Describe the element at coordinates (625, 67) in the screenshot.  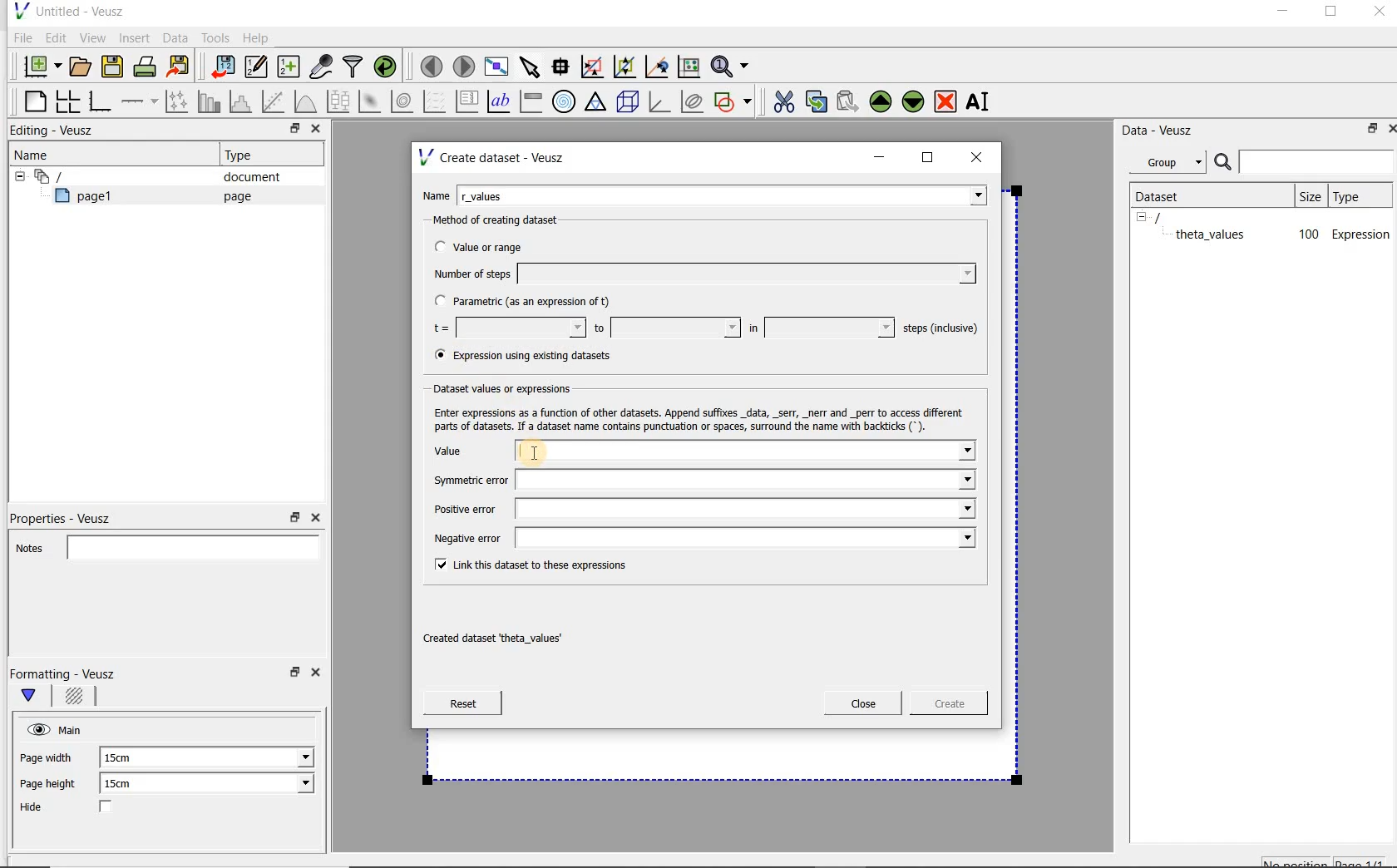
I see `click to zoom out of graph axes` at that location.